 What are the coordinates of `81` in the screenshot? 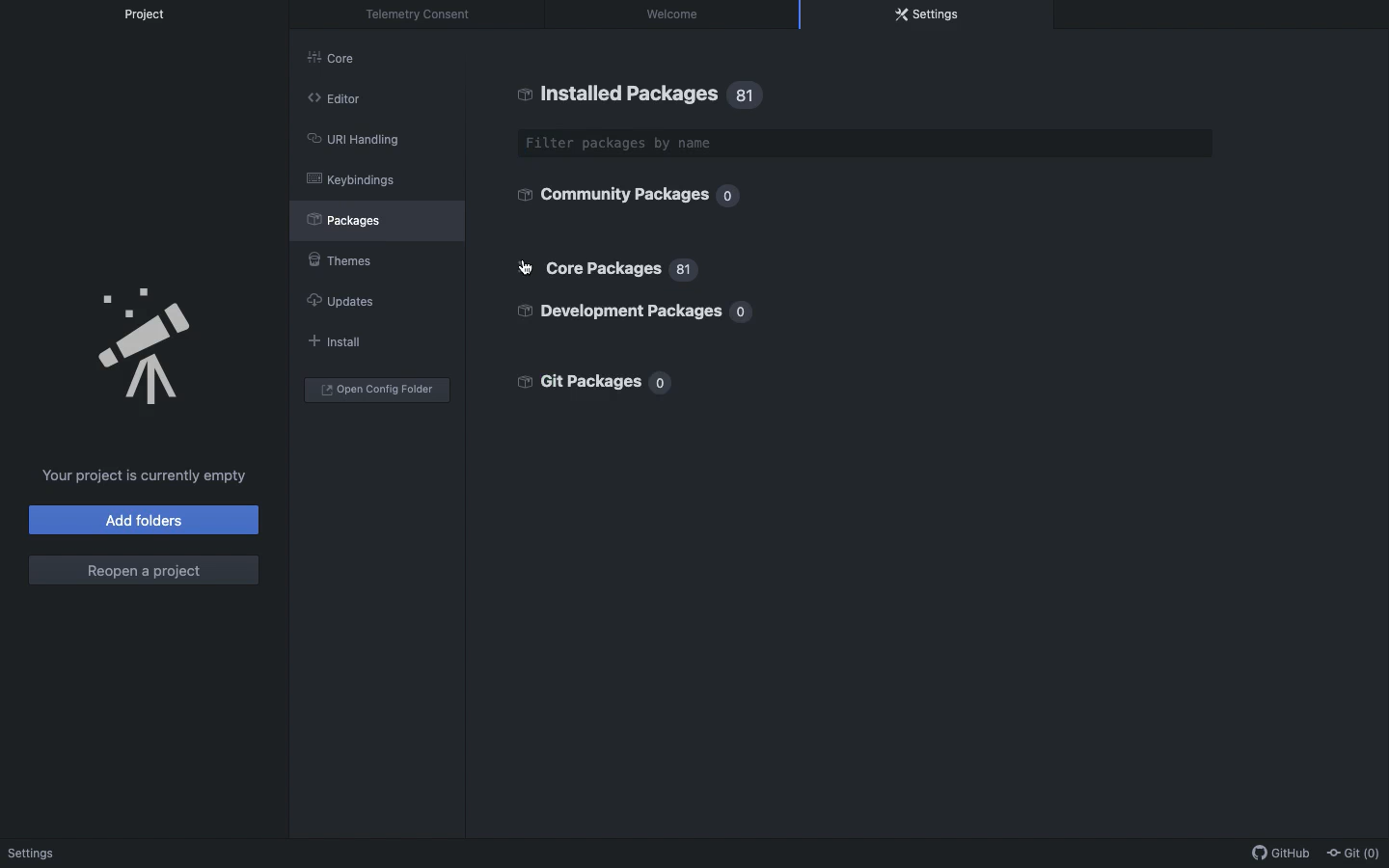 It's located at (689, 272).